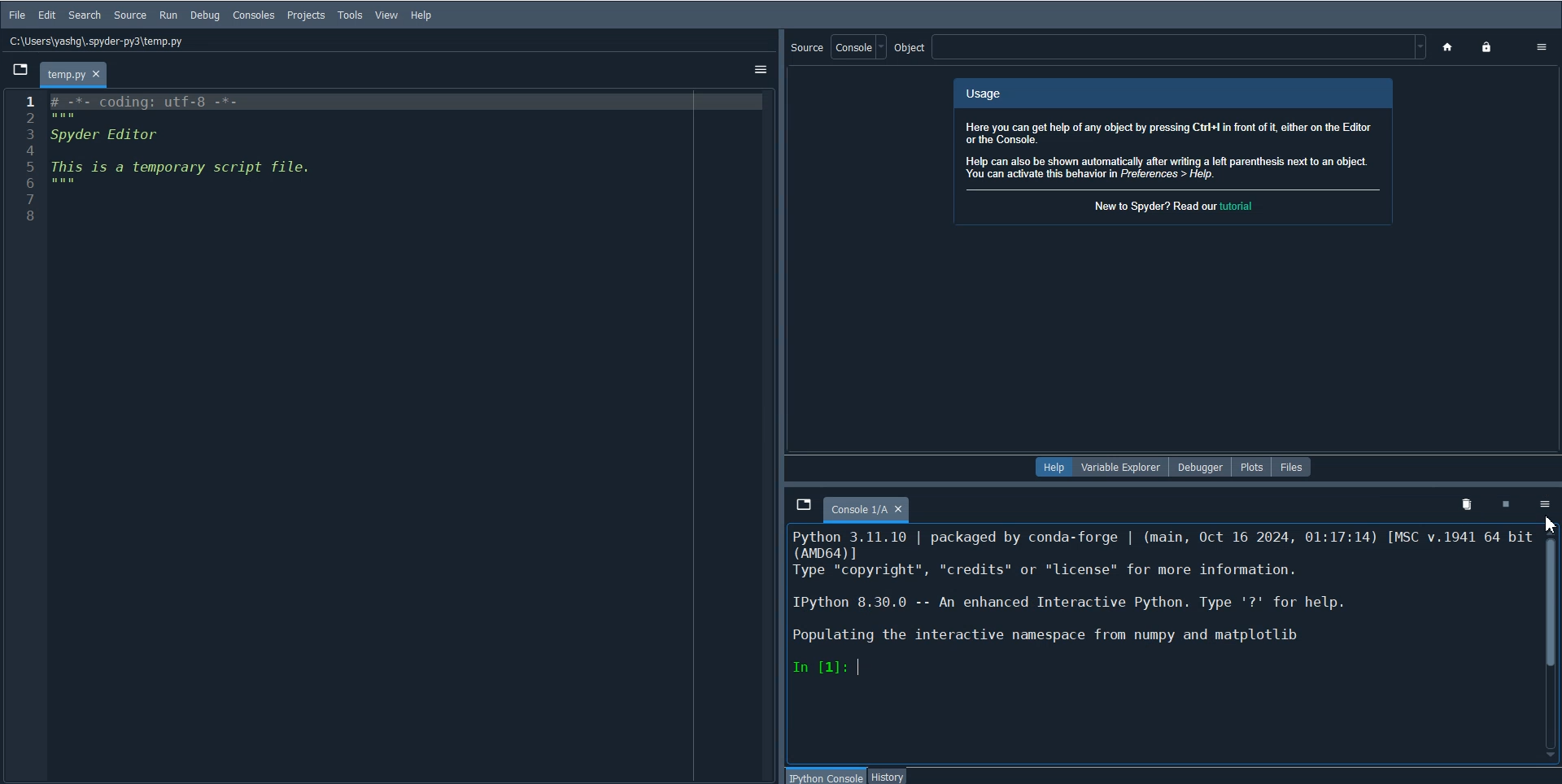 The width and height of the screenshot is (1562, 784). I want to click on Browse tab, so click(20, 69).